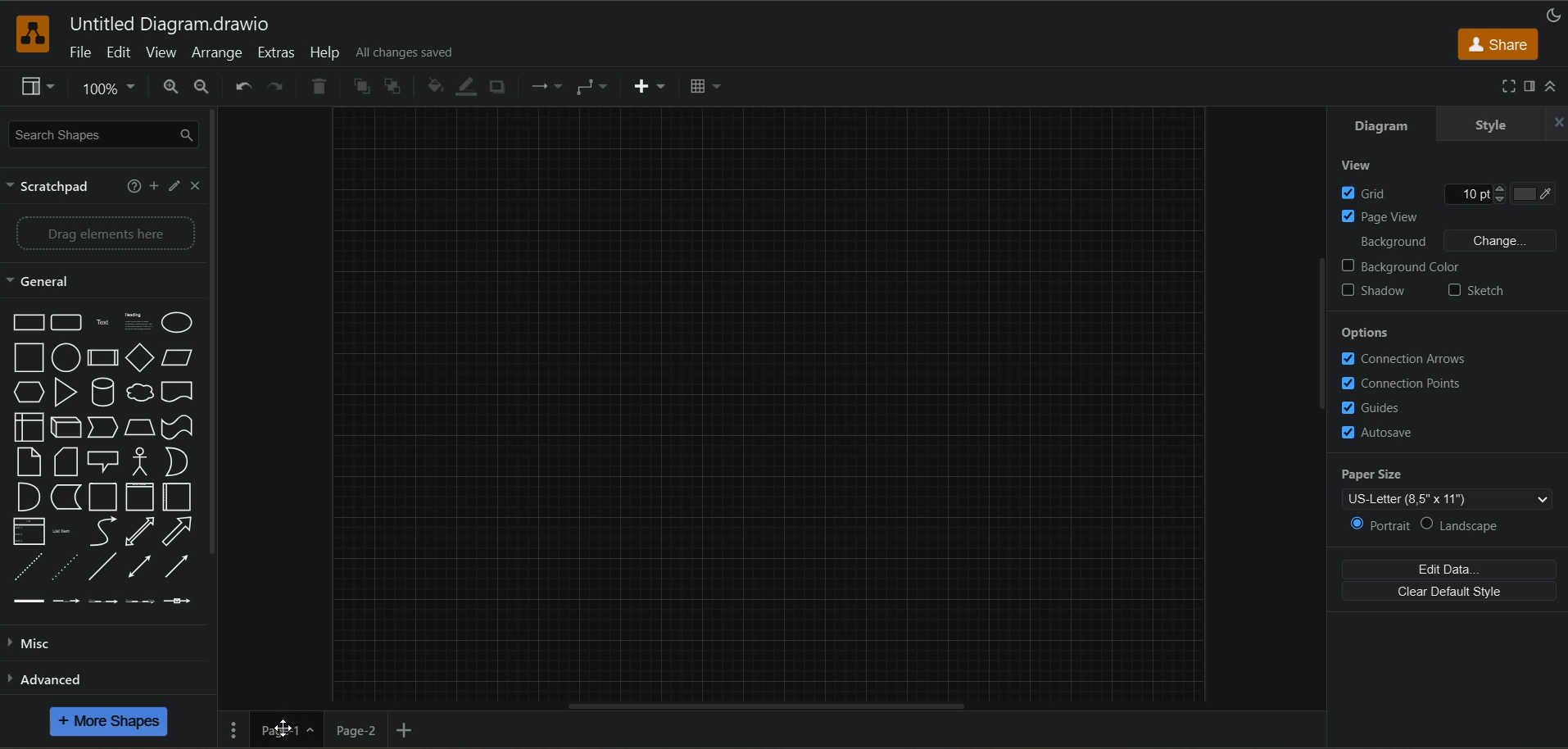  What do you see at coordinates (470, 88) in the screenshot?
I see `line color` at bounding box center [470, 88].